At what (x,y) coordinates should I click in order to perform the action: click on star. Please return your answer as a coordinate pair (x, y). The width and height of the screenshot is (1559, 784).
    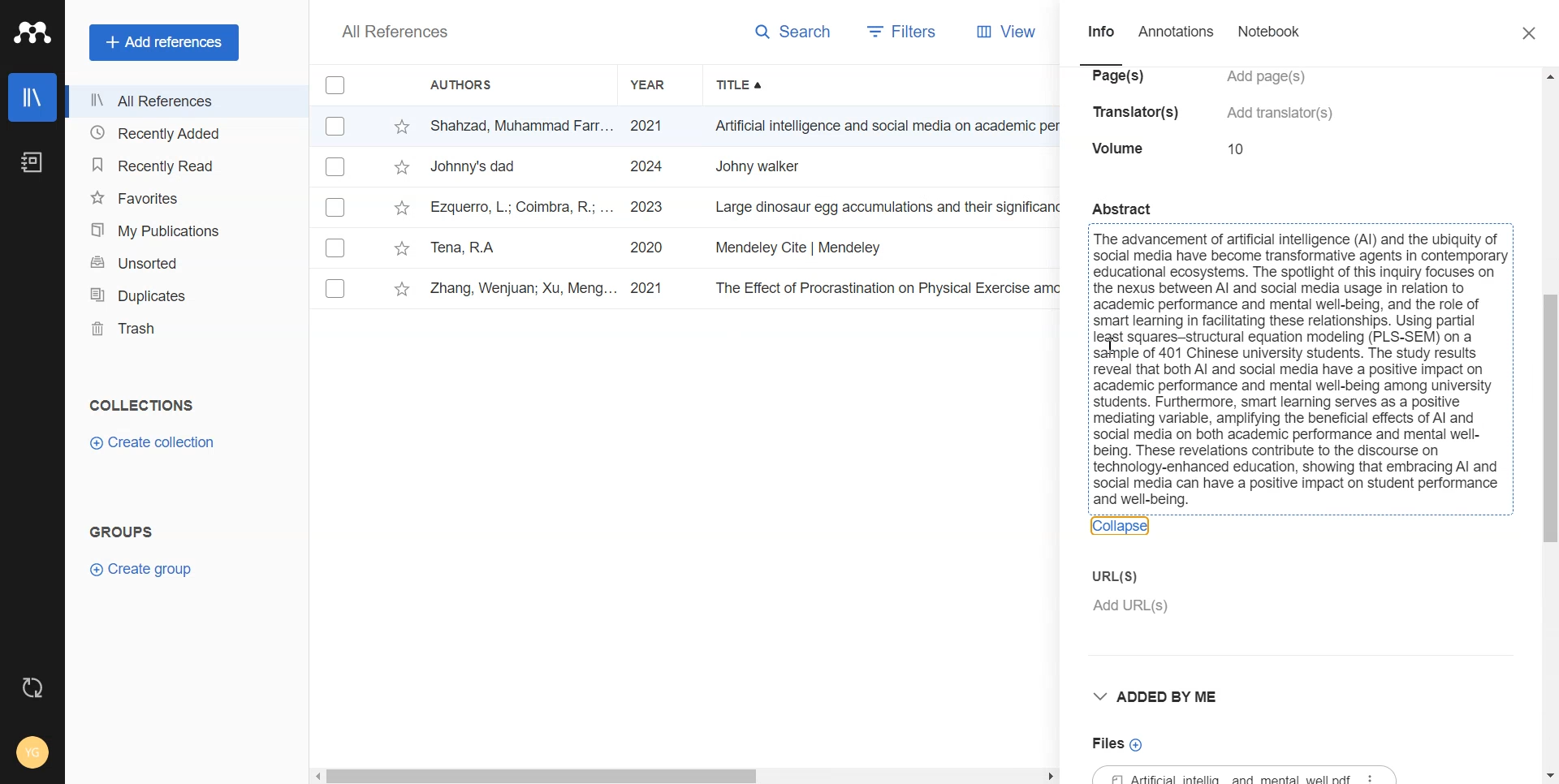
    Looking at the image, I should click on (404, 127).